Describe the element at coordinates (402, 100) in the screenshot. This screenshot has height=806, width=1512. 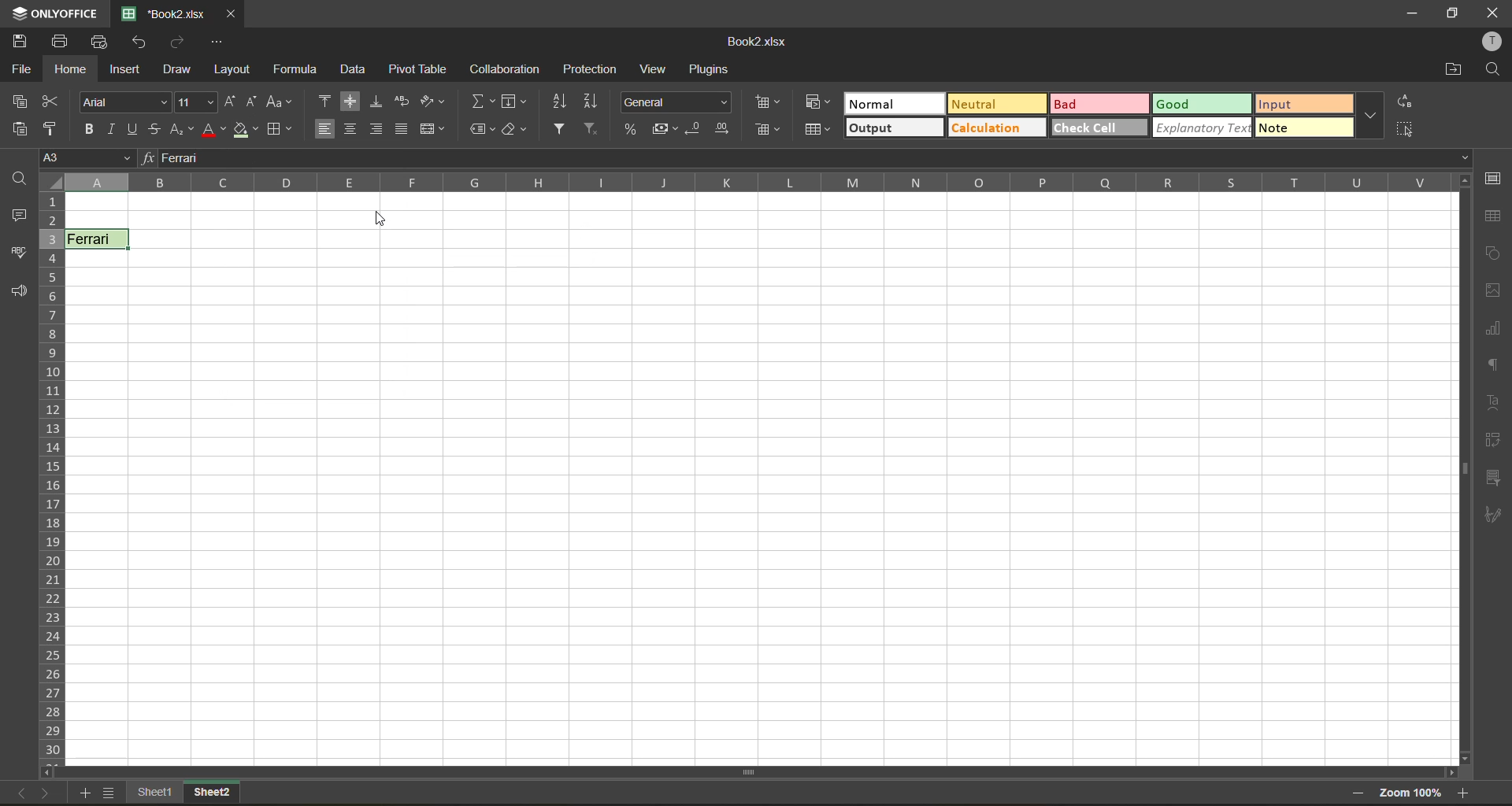
I see `wrap text` at that location.